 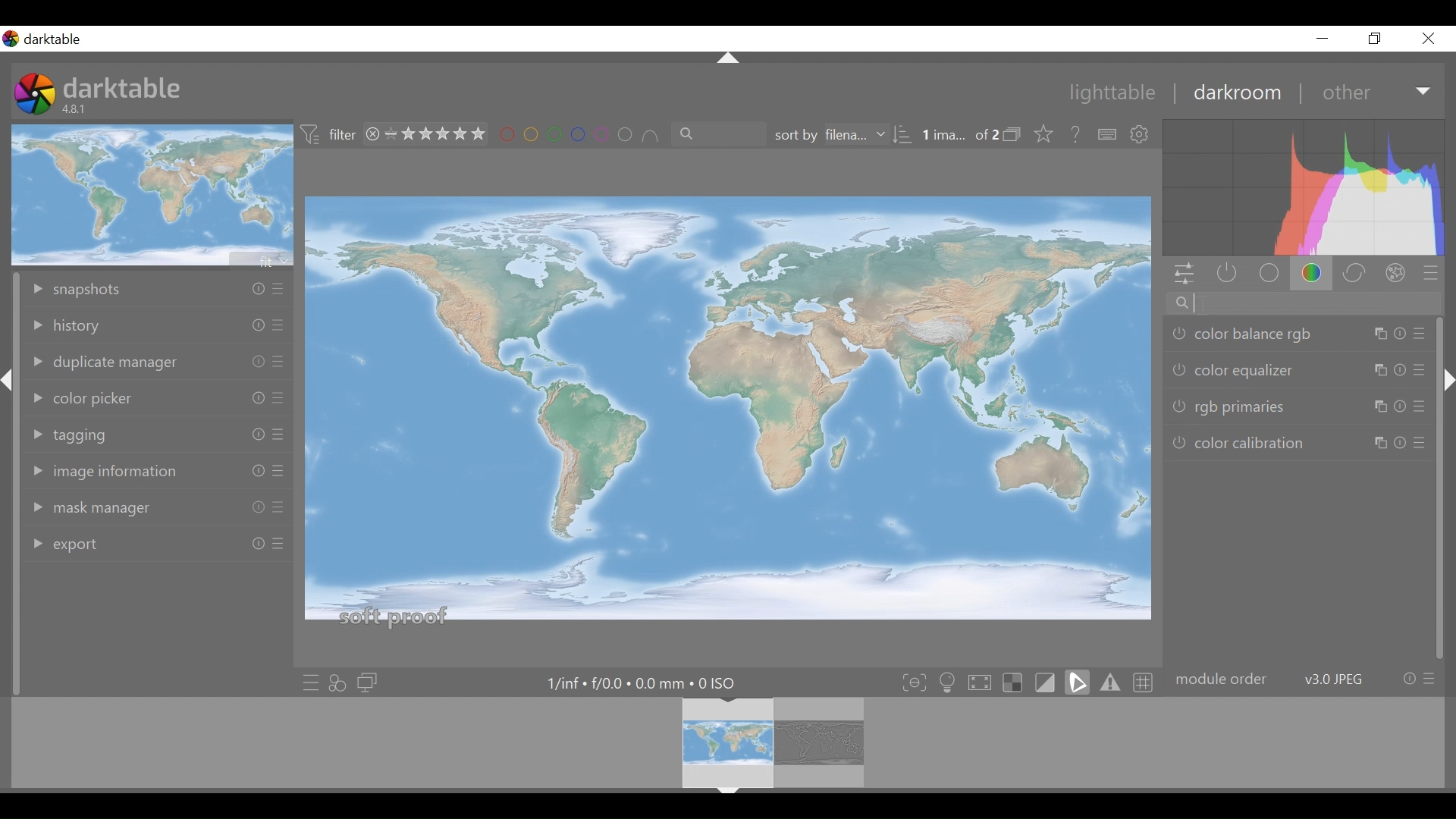 What do you see at coordinates (371, 134) in the screenshot?
I see `close` at bounding box center [371, 134].